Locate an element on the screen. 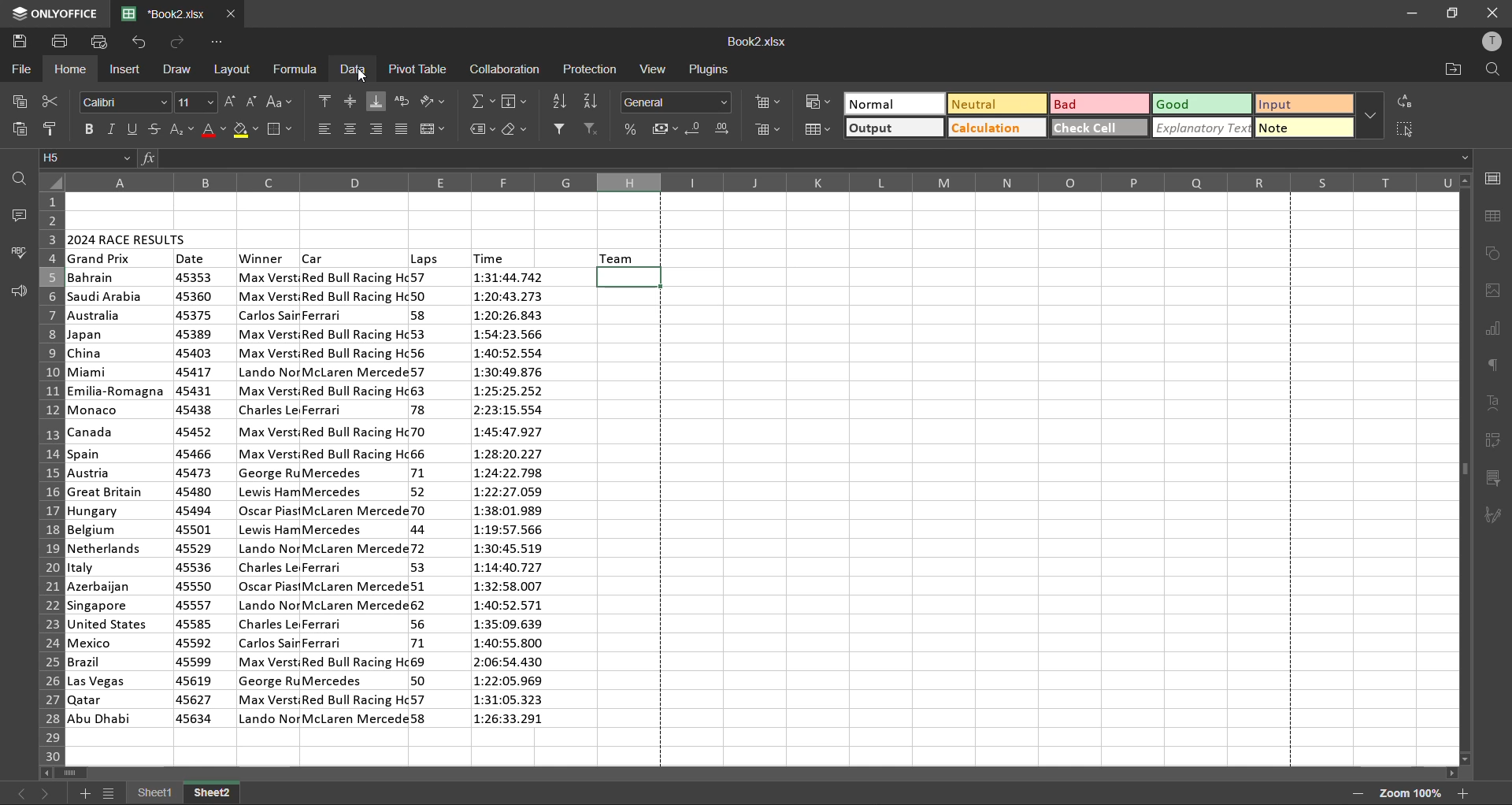 This screenshot has height=805, width=1512. font size is located at coordinates (198, 102).